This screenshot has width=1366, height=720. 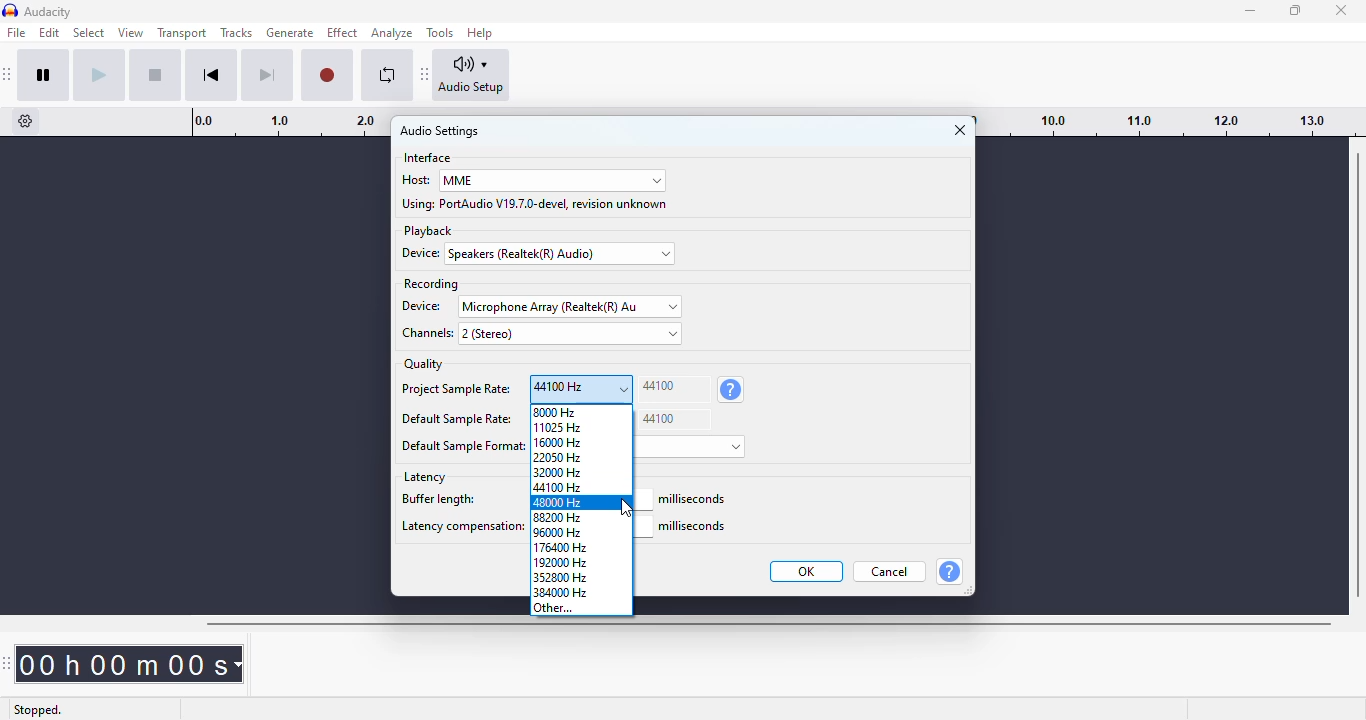 I want to click on time, so click(x=134, y=663).